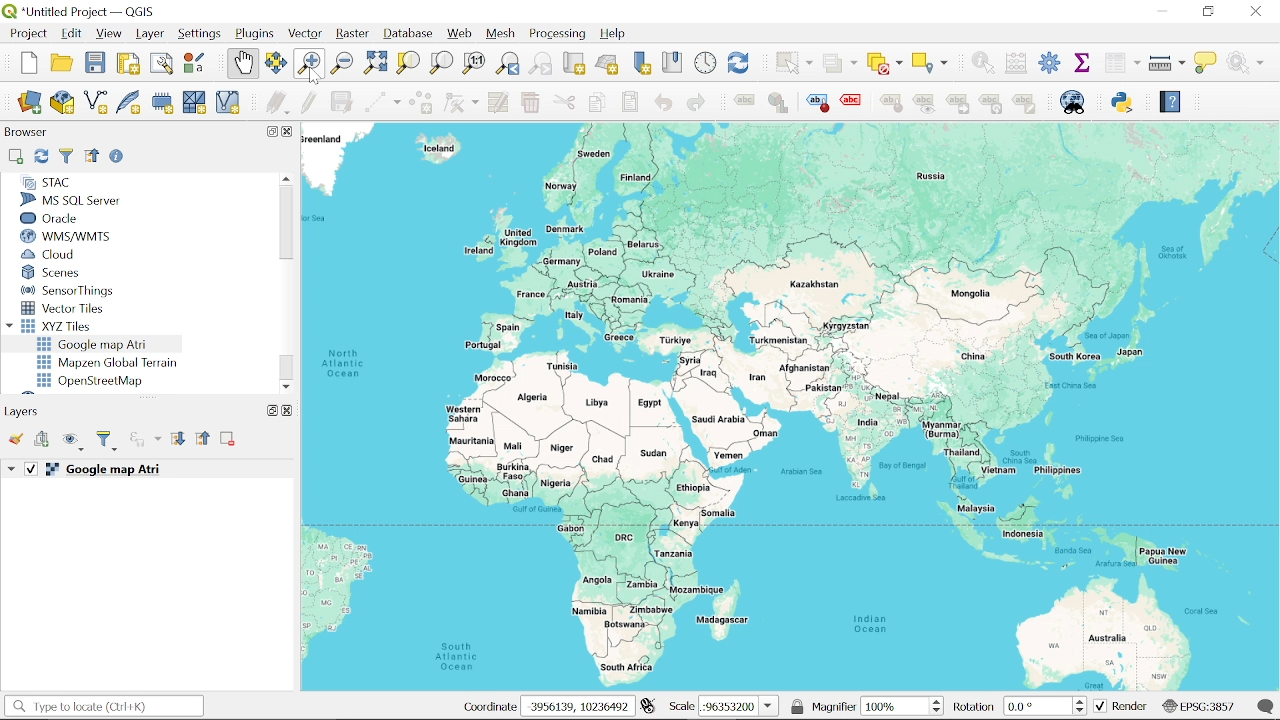  What do you see at coordinates (96, 344) in the screenshot?
I see `Google map Atri` at bounding box center [96, 344].